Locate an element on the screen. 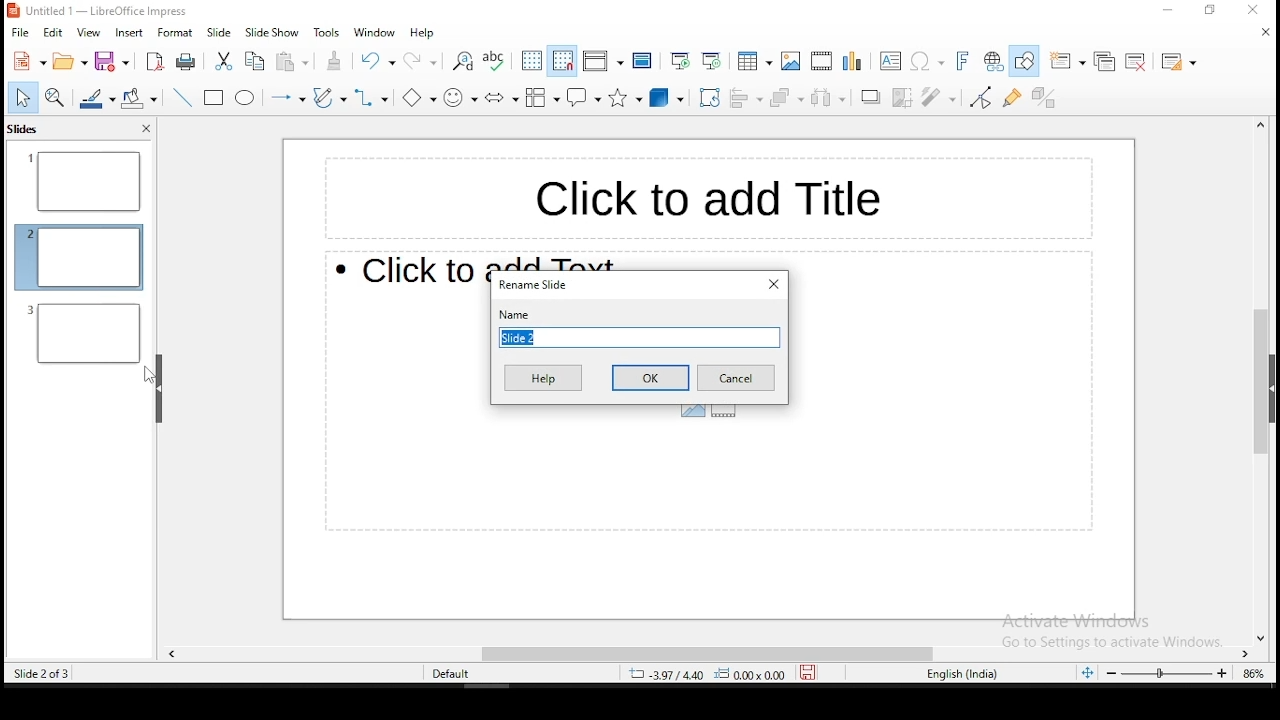 The width and height of the screenshot is (1280, 720). view is located at coordinates (90, 34).